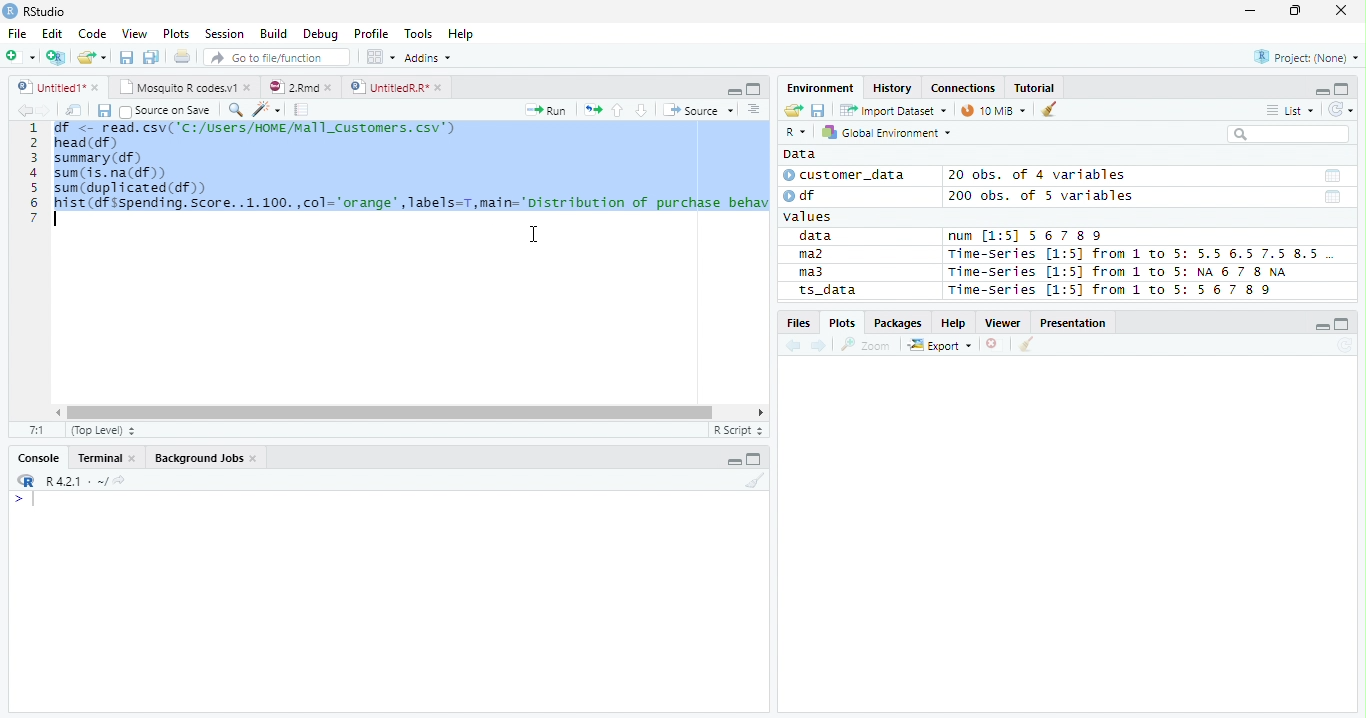  Describe the element at coordinates (891, 110) in the screenshot. I see `Import Dataset` at that location.